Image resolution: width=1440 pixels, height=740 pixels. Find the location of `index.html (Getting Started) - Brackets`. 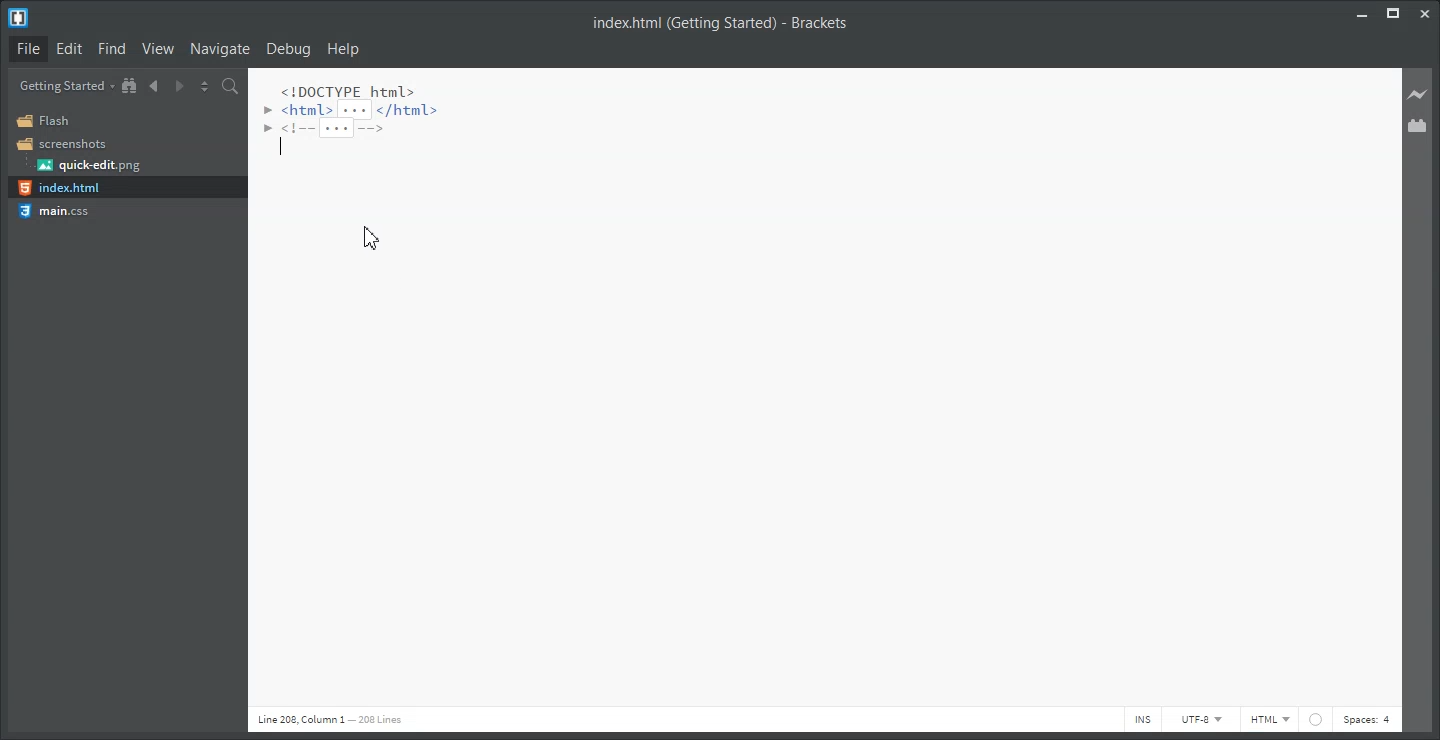

index.html (Getting Started) - Brackets is located at coordinates (713, 24).